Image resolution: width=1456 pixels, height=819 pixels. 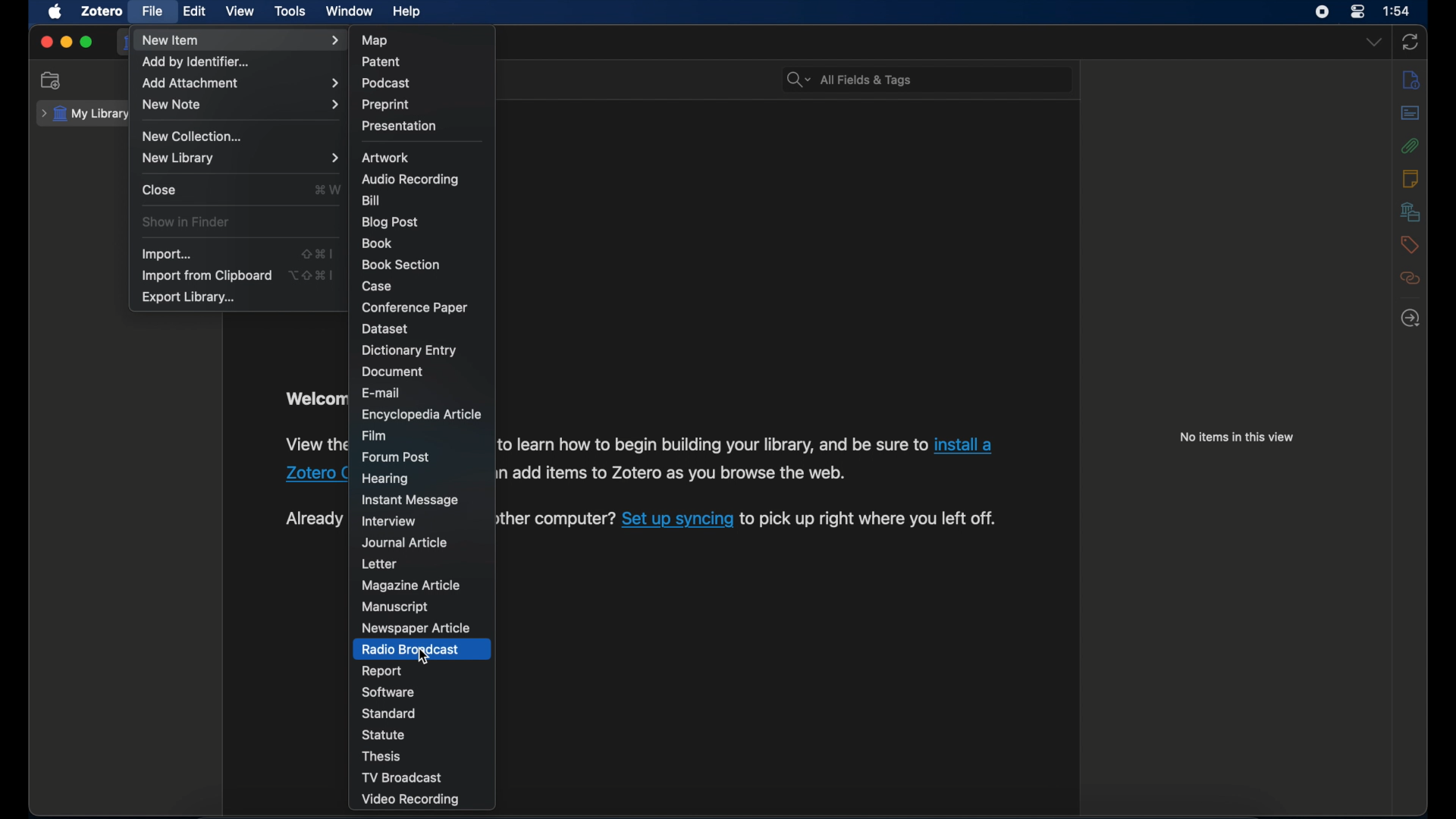 What do you see at coordinates (394, 607) in the screenshot?
I see `manuscript` at bounding box center [394, 607].